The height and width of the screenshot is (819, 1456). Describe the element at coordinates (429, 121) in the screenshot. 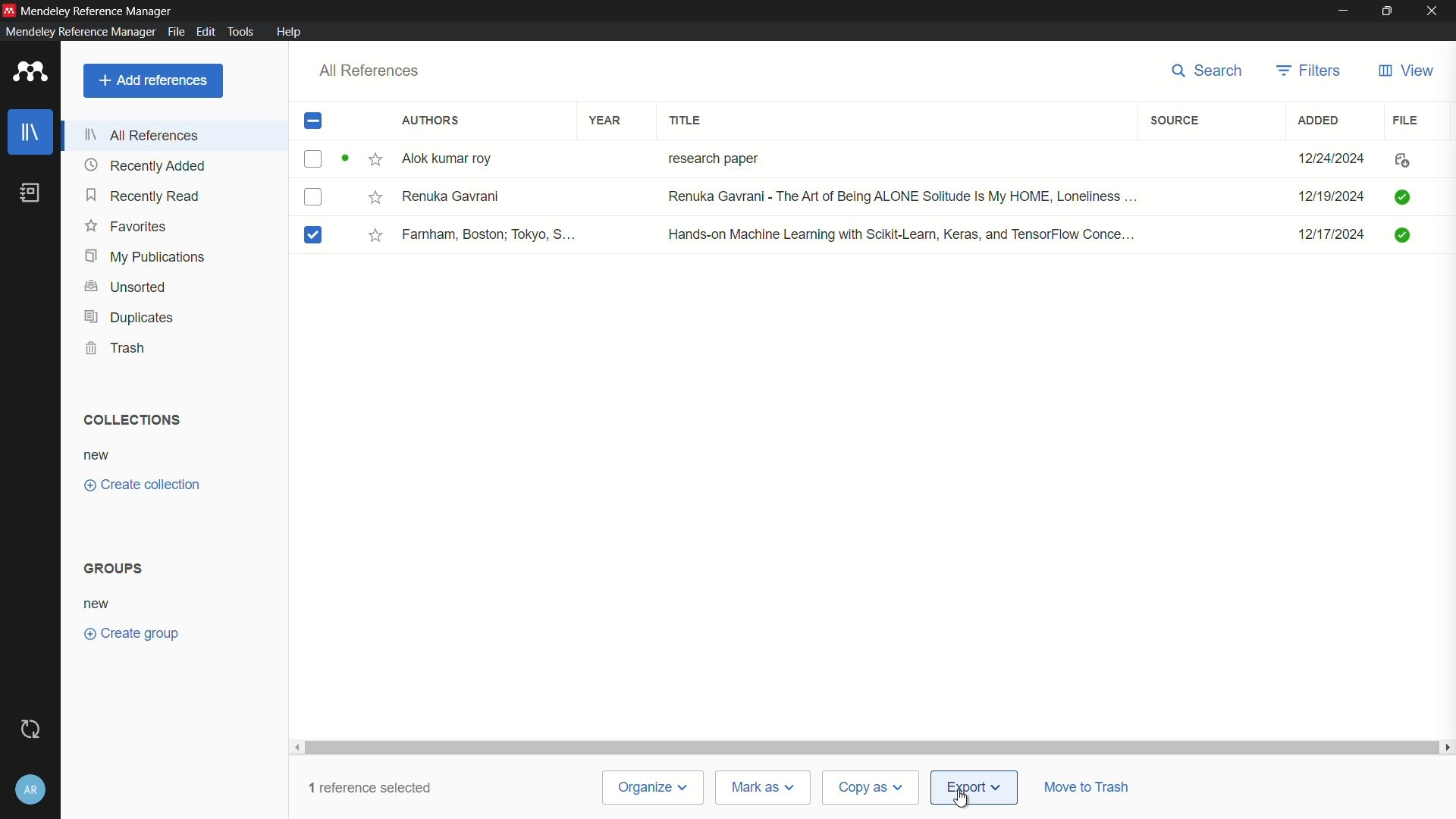

I see `authors` at that location.